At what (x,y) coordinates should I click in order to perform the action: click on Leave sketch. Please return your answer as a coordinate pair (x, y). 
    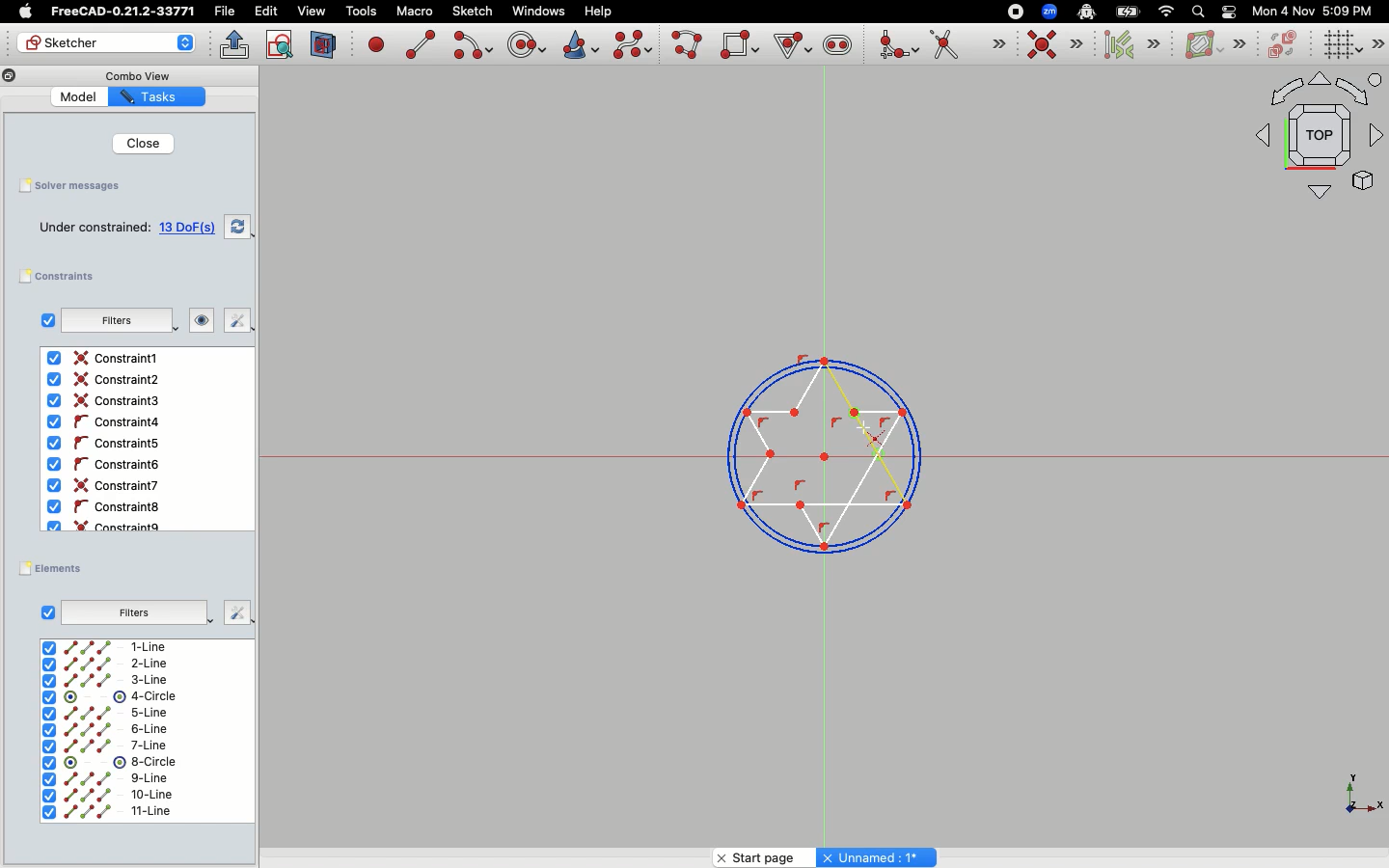
    Looking at the image, I should click on (232, 42).